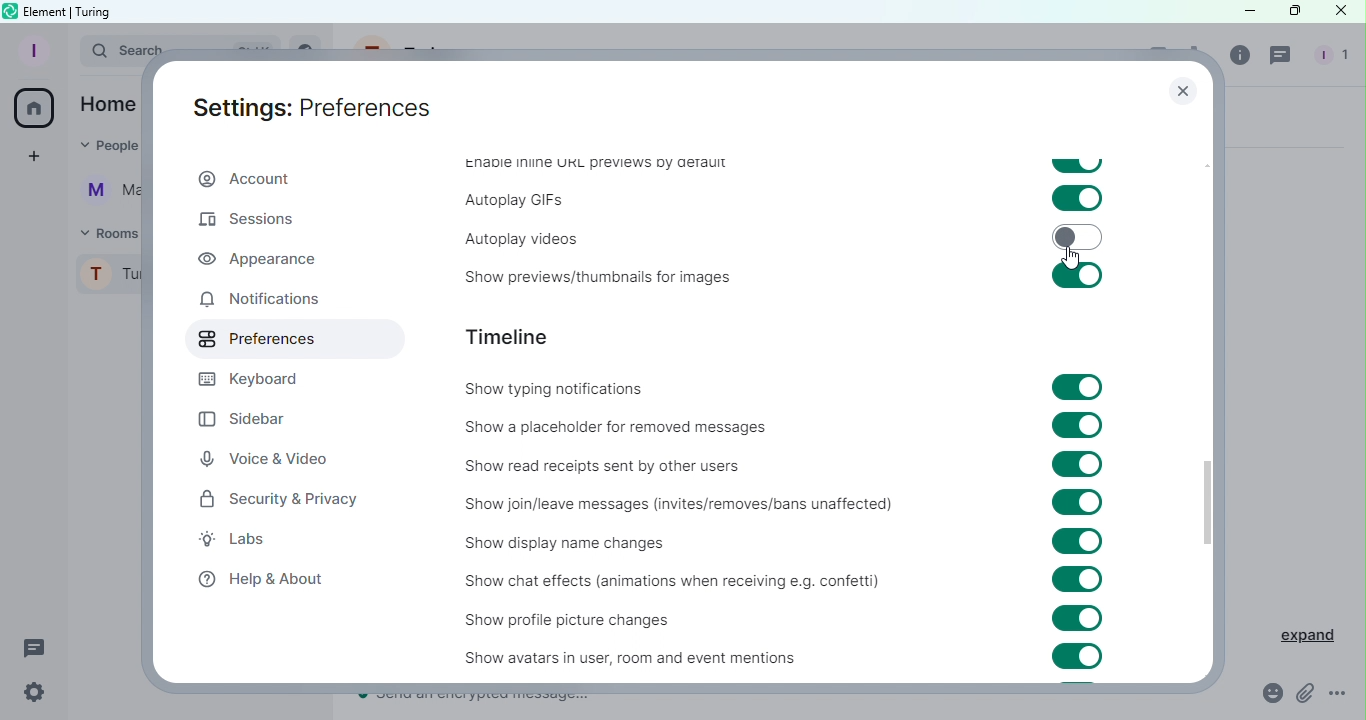 Image resolution: width=1366 pixels, height=720 pixels. I want to click on Scroll bar, so click(1207, 396).